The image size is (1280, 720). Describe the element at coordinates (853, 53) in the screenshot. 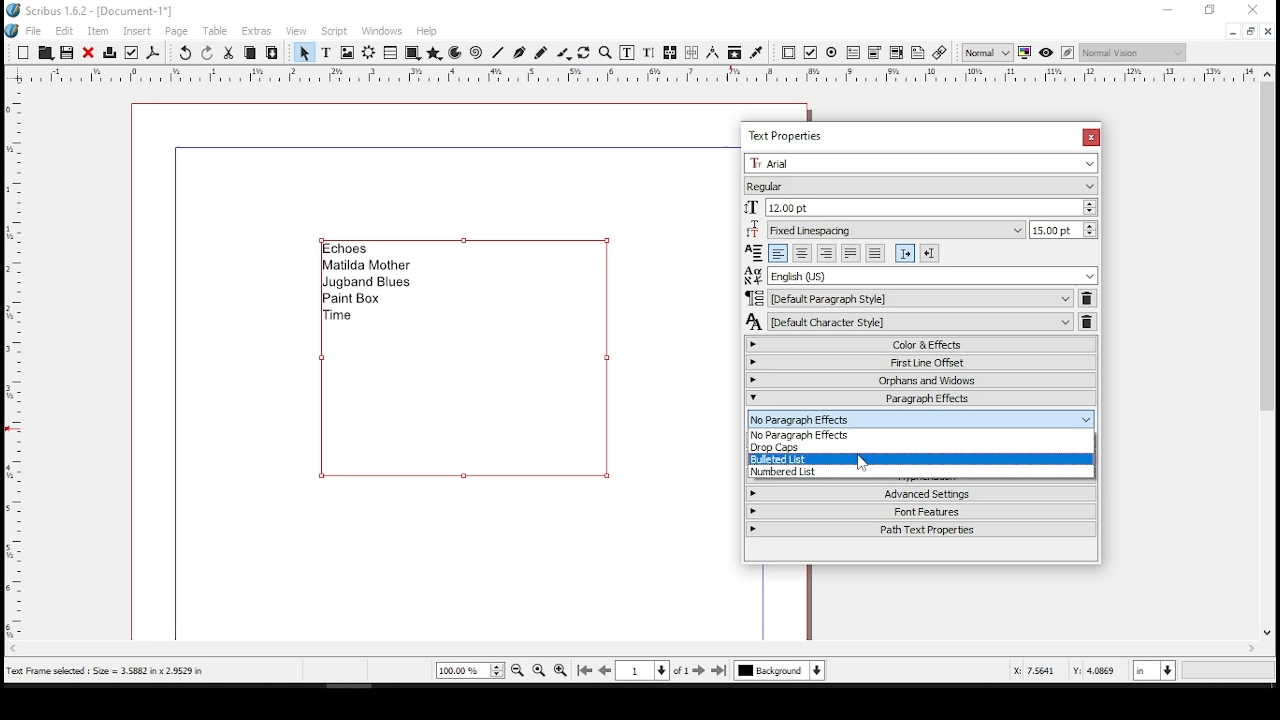

I see `pdf text field` at that location.